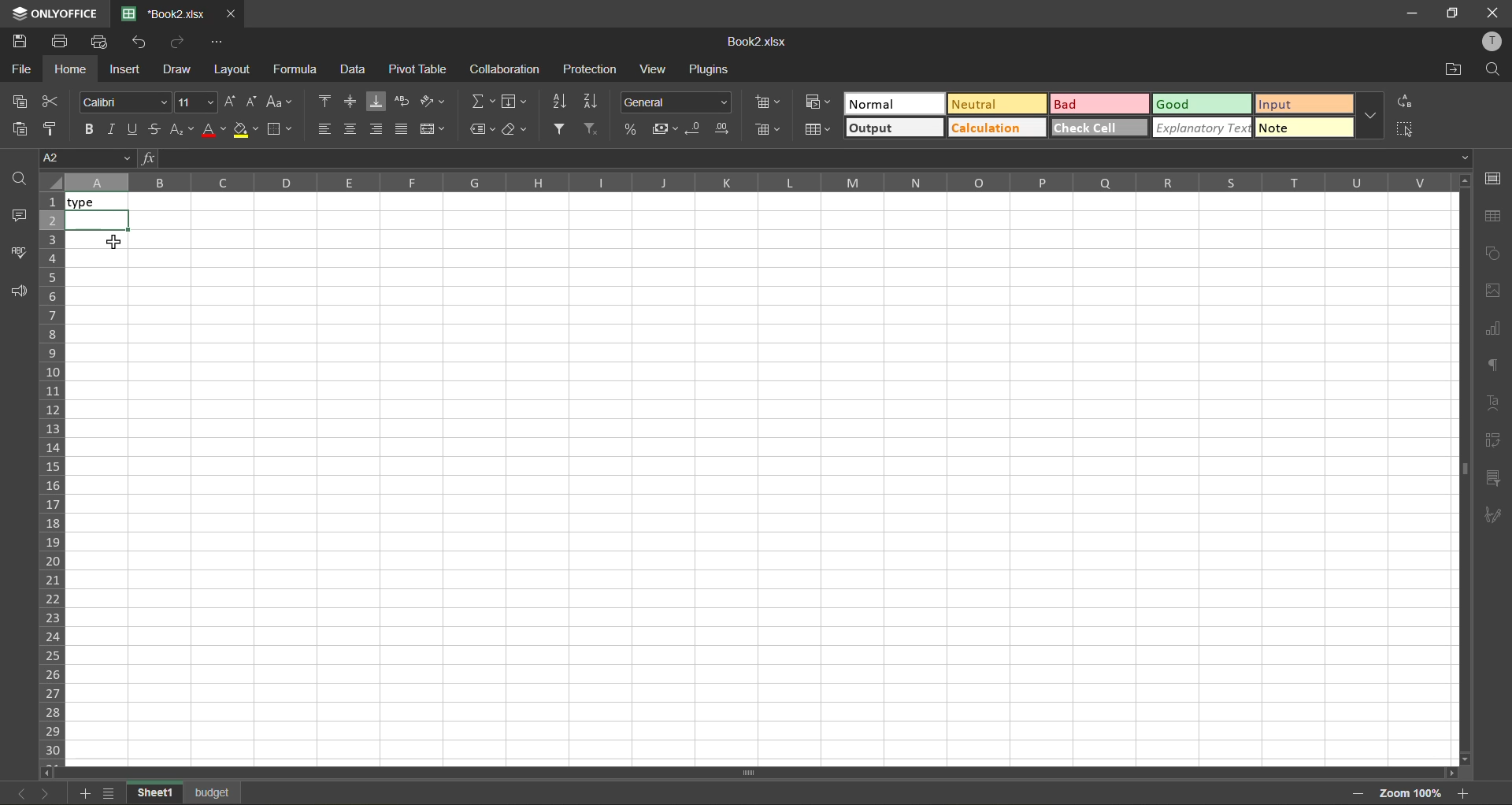 The height and width of the screenshot is (805, 1512). Describe the element at coordinates (44, 793) in the screenshot. I see `next` at that location.